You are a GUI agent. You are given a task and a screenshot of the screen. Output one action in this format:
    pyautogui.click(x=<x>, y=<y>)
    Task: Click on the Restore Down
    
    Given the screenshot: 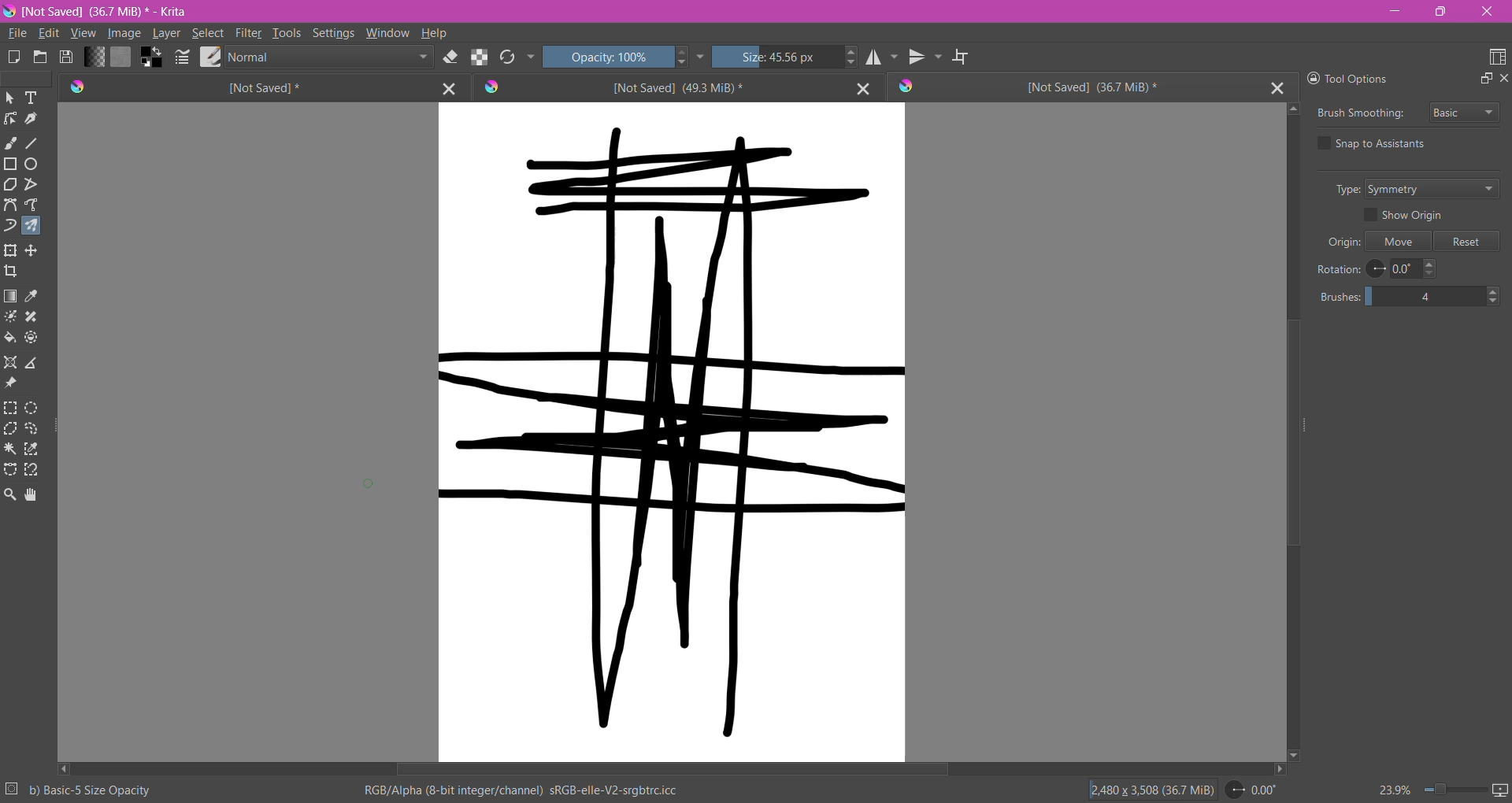 What is the action you would take?
    pyautogui.click(x=1443, y=12)
    